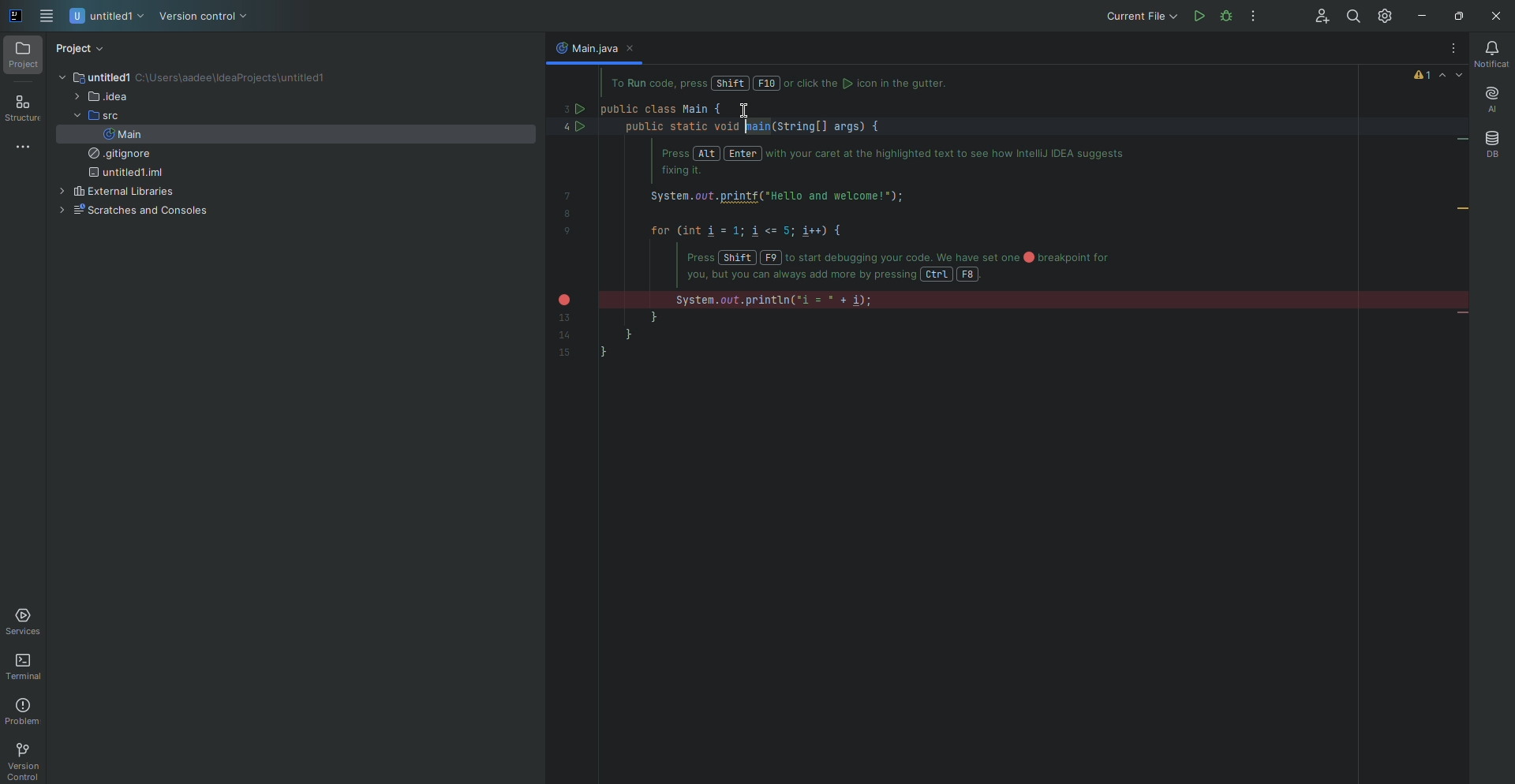 The image size is (1515, 784). What do you see at coordinates (123, 174) in the screenshot?
I see `untitled1.iml` at bounding box center [123, 174].